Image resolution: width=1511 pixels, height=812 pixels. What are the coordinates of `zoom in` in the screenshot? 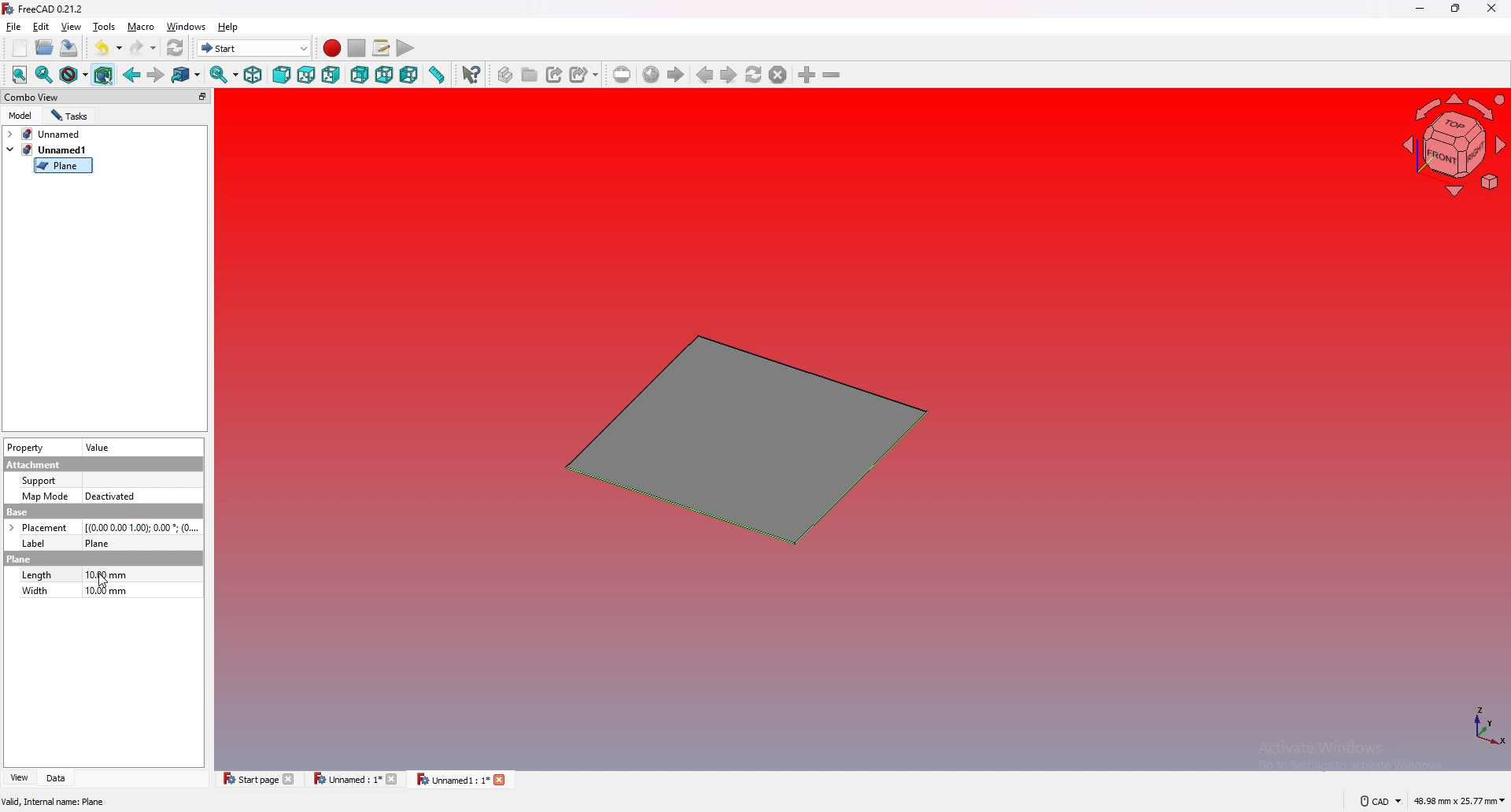 It's located at (808, 75).